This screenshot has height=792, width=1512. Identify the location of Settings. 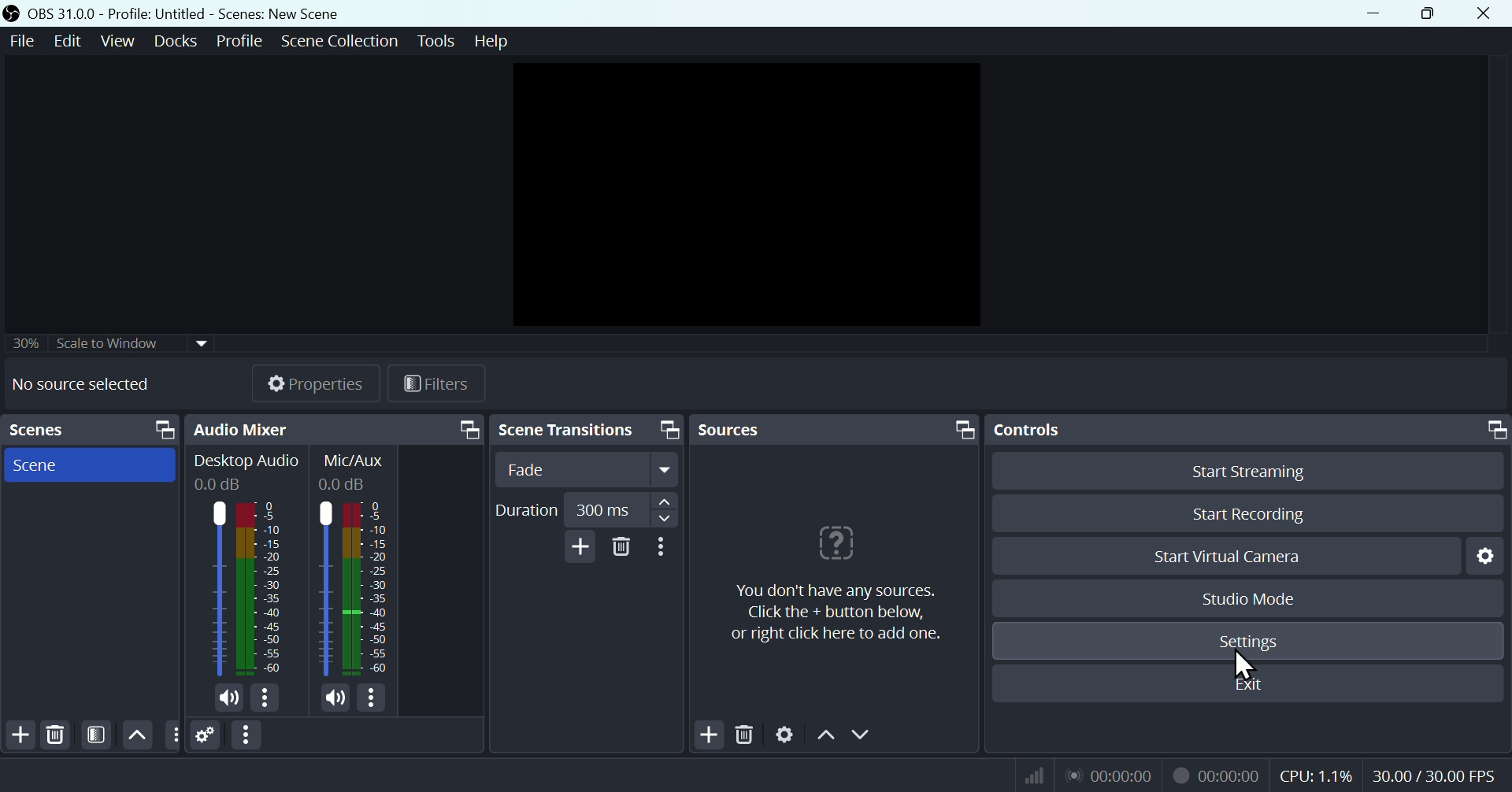
(786, 735).